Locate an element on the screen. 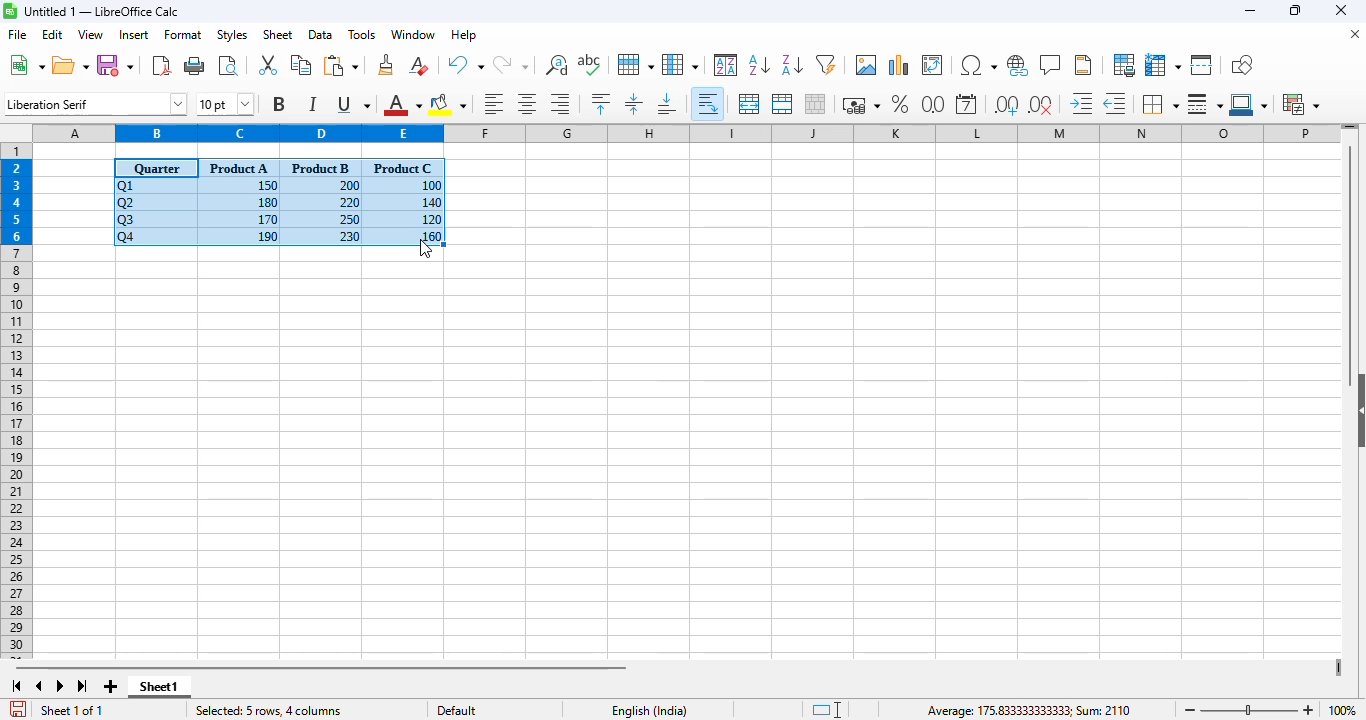  close document is located at coordinates (1355, 34).